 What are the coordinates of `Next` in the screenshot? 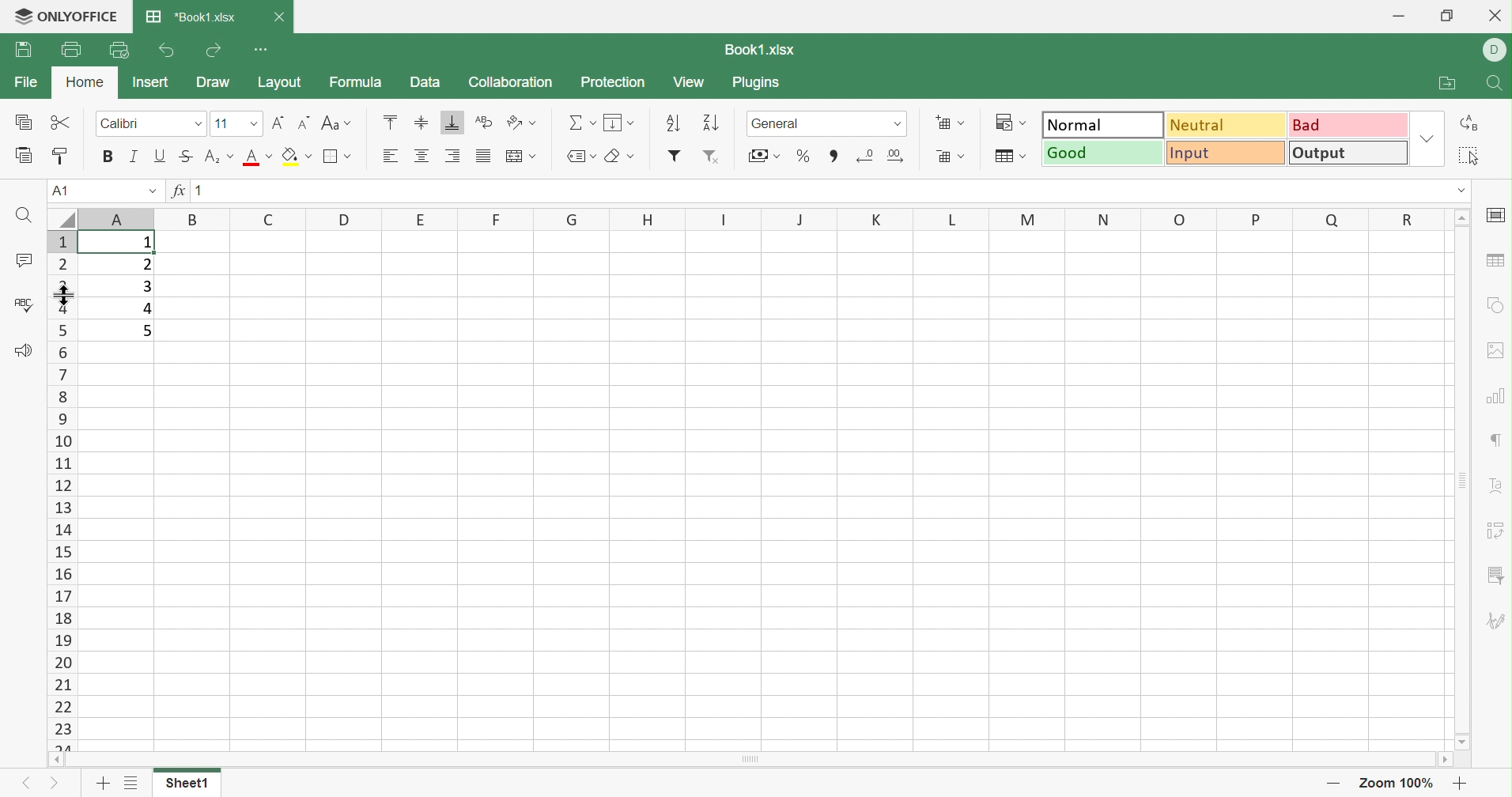 It's located at (52, 784).